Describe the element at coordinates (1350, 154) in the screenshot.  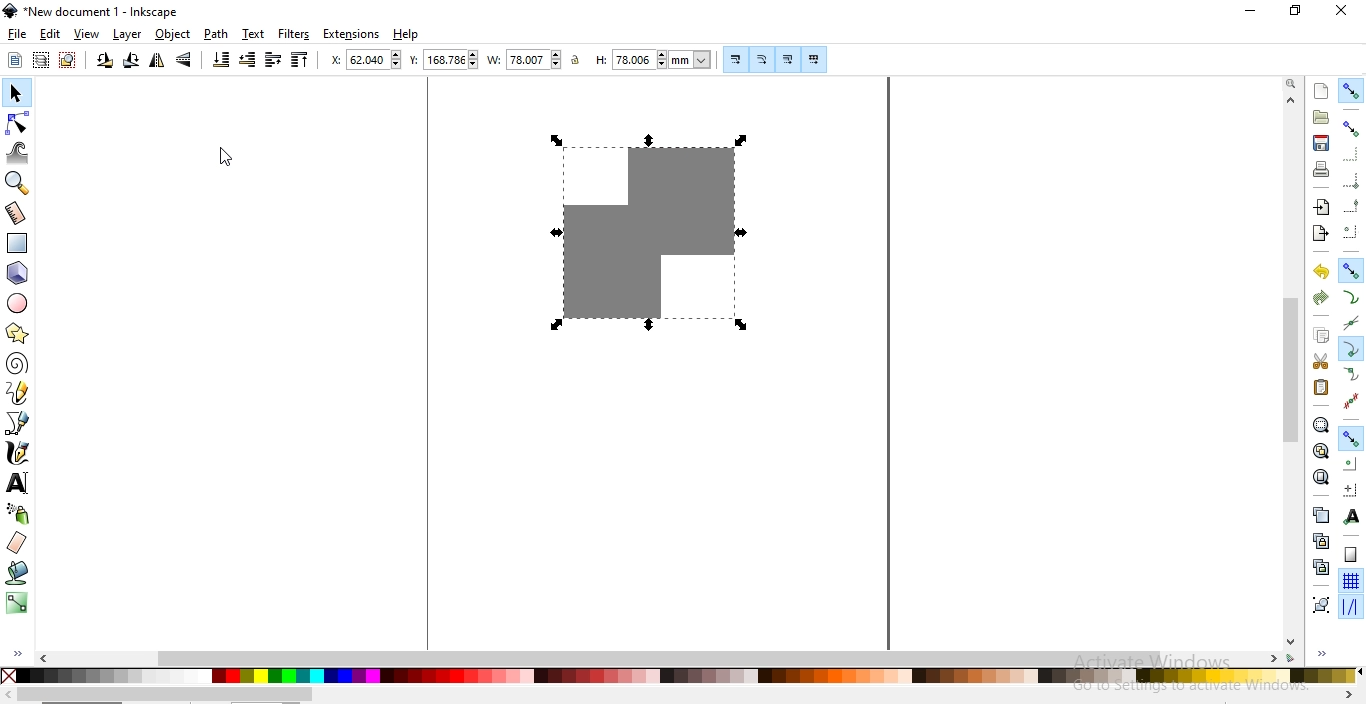
I see `snap bounding box corners` at that location.